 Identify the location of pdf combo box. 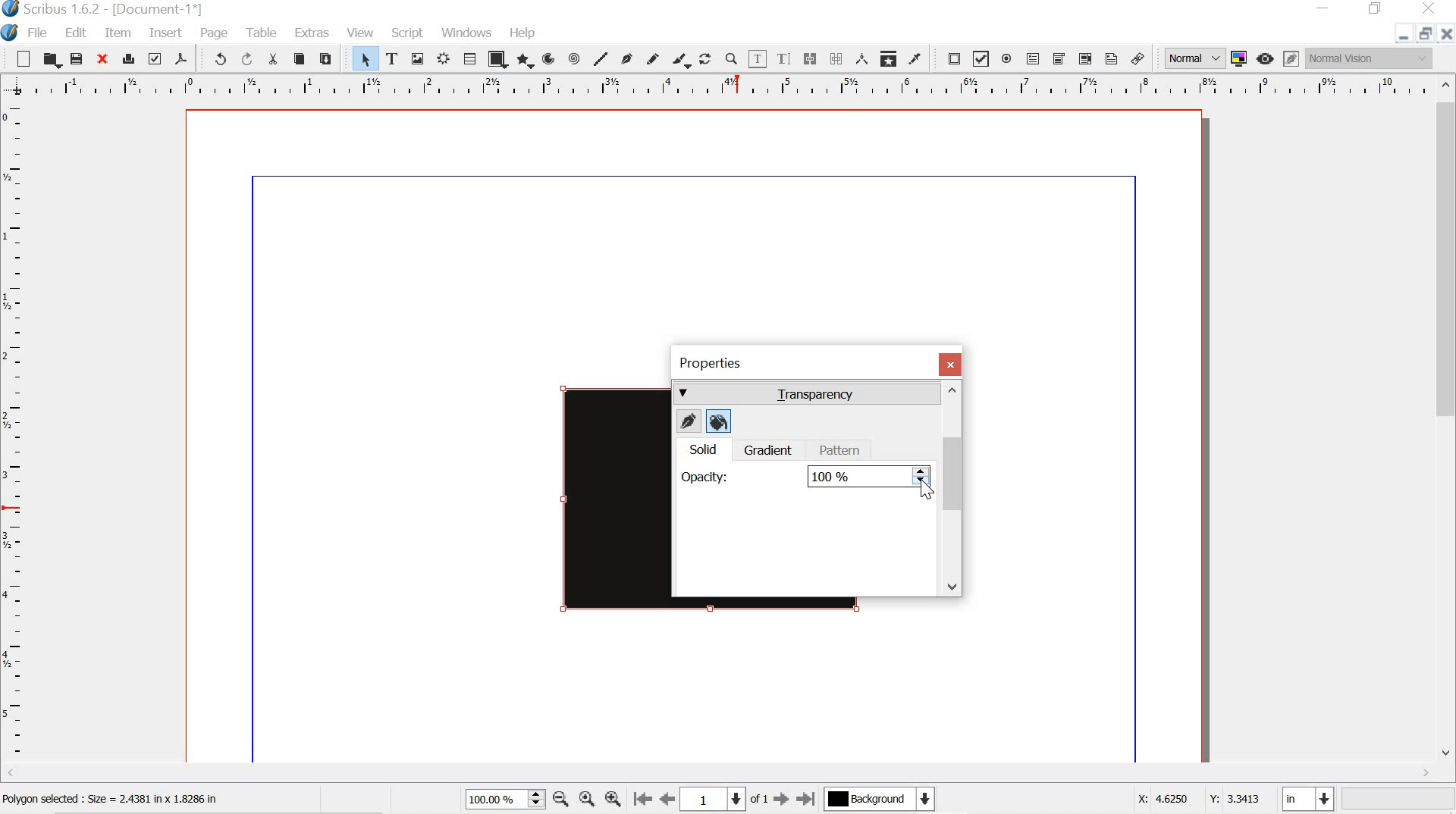
(1058, 58).